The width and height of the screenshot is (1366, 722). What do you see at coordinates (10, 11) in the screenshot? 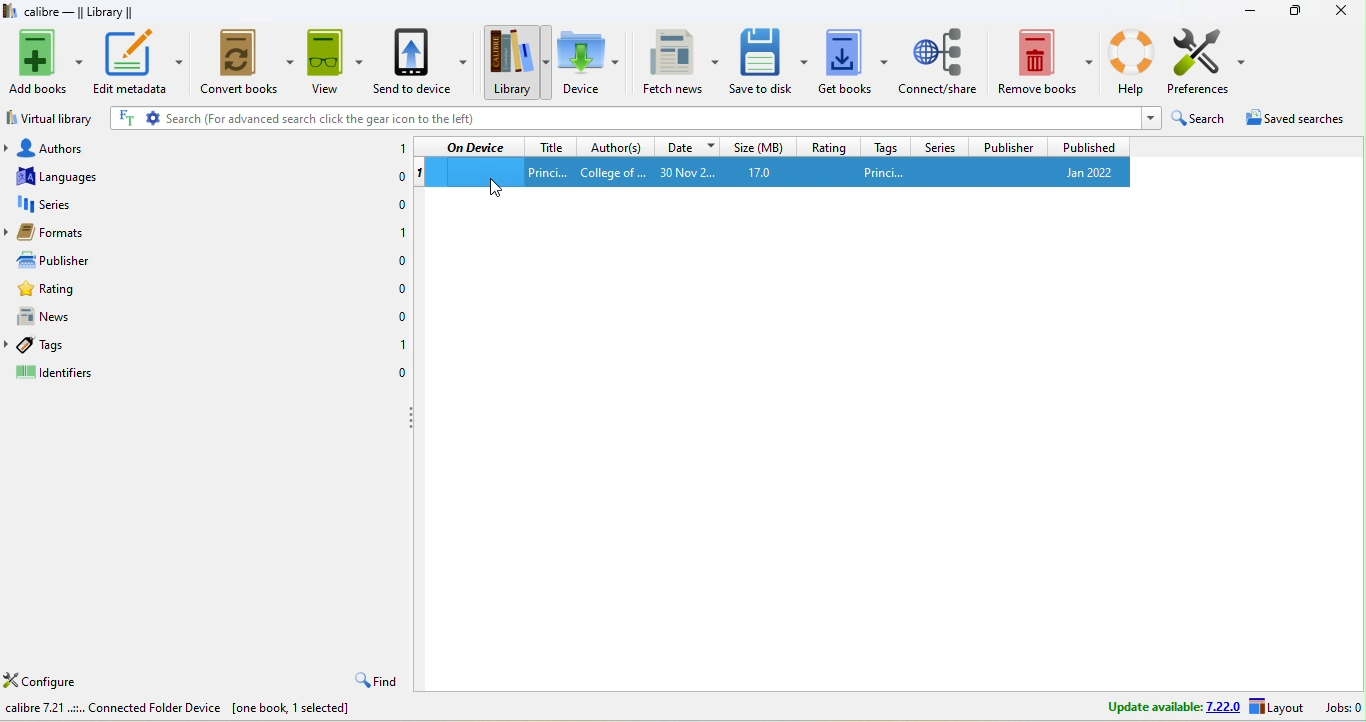
I see `logo` at bounding box center [10, 11].